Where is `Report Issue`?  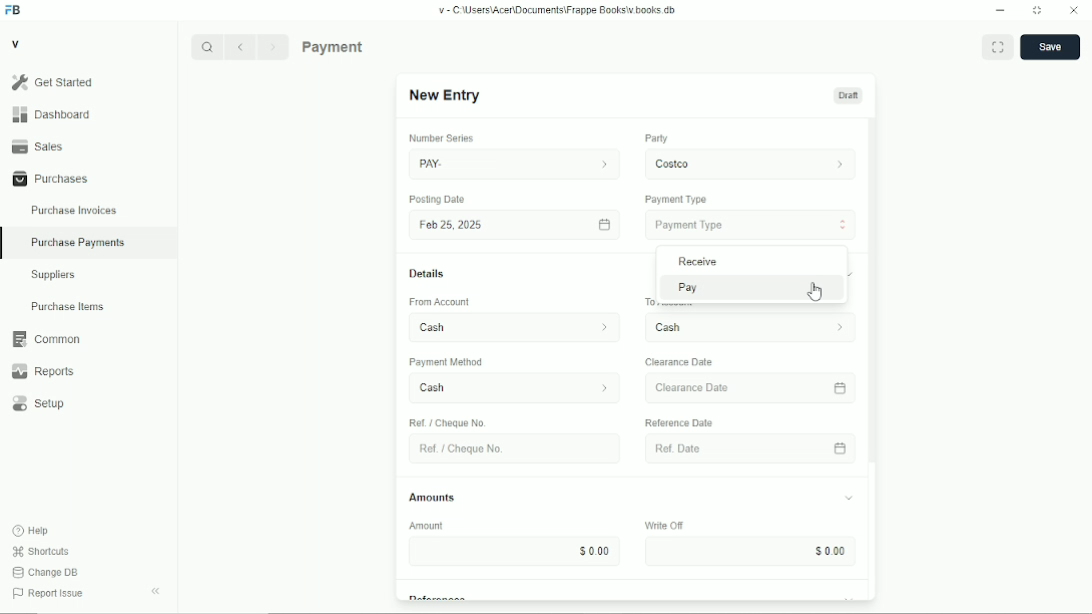
Report Issue is located at coordinates (49, 593).